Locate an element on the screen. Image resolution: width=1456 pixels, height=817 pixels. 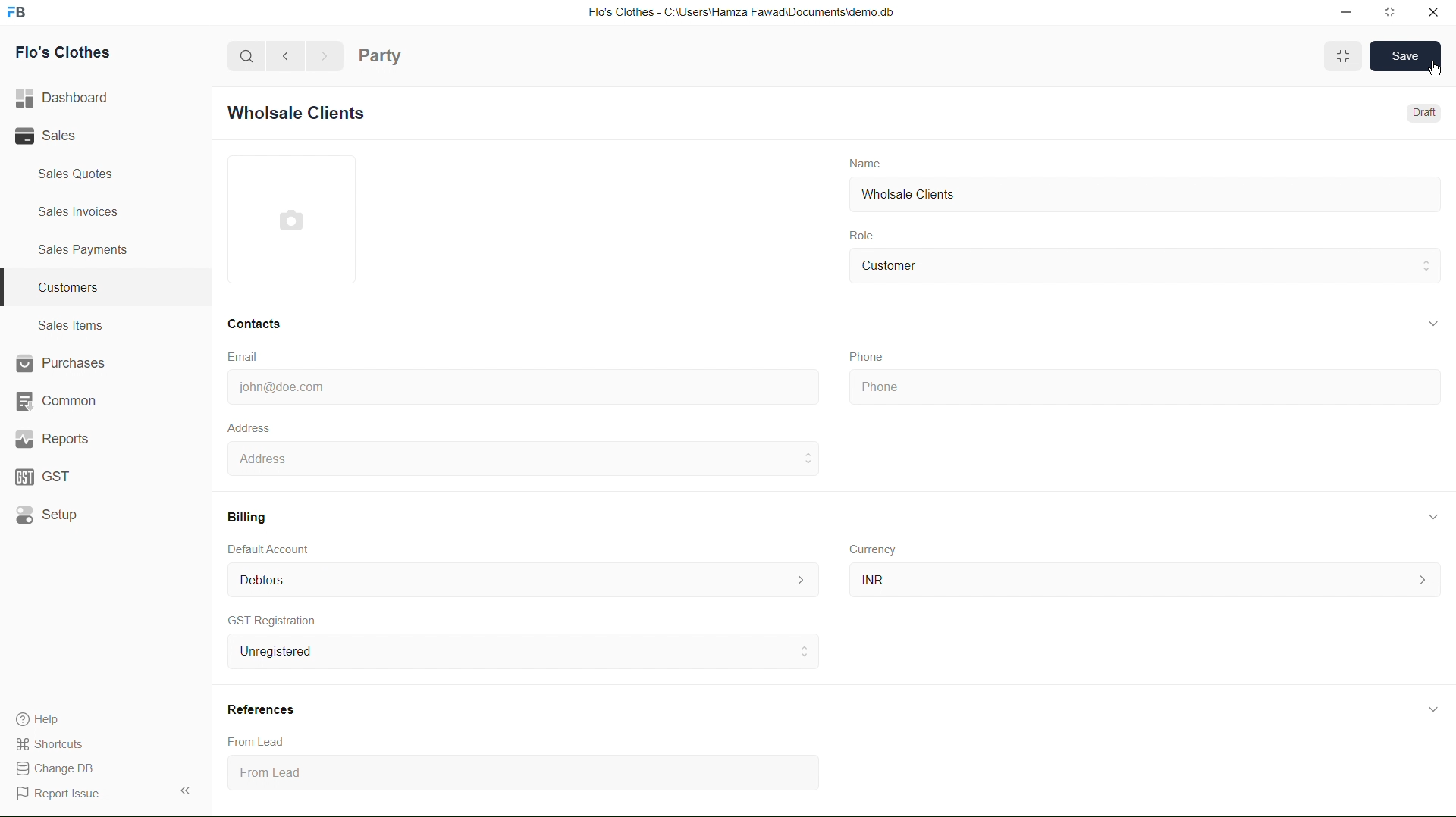
Flo's Clothes - C:\Users\Hamza Fawad\Documentsidemo. db is located at coordinates (739, 11).